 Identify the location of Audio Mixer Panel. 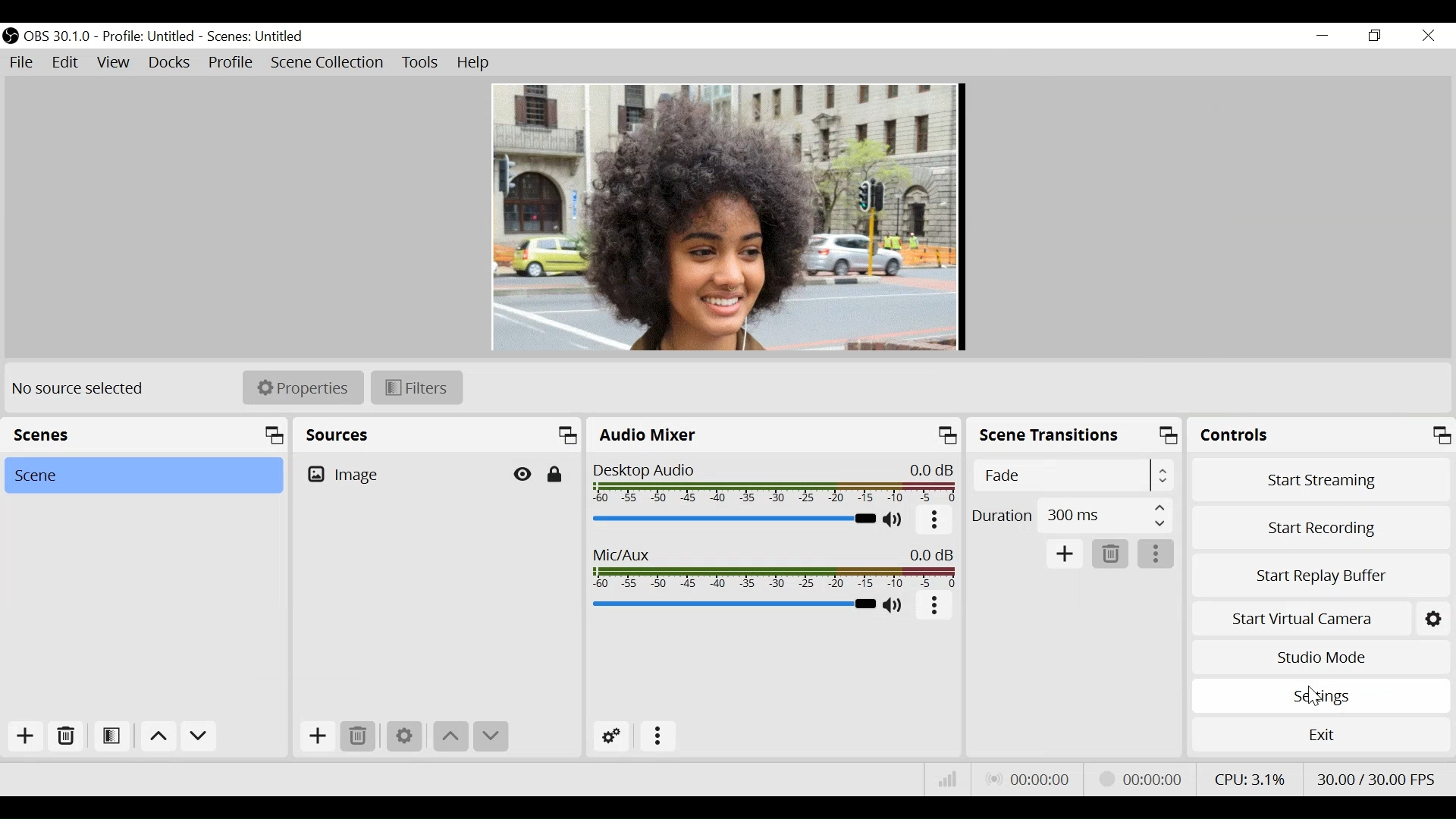
(657, 436).